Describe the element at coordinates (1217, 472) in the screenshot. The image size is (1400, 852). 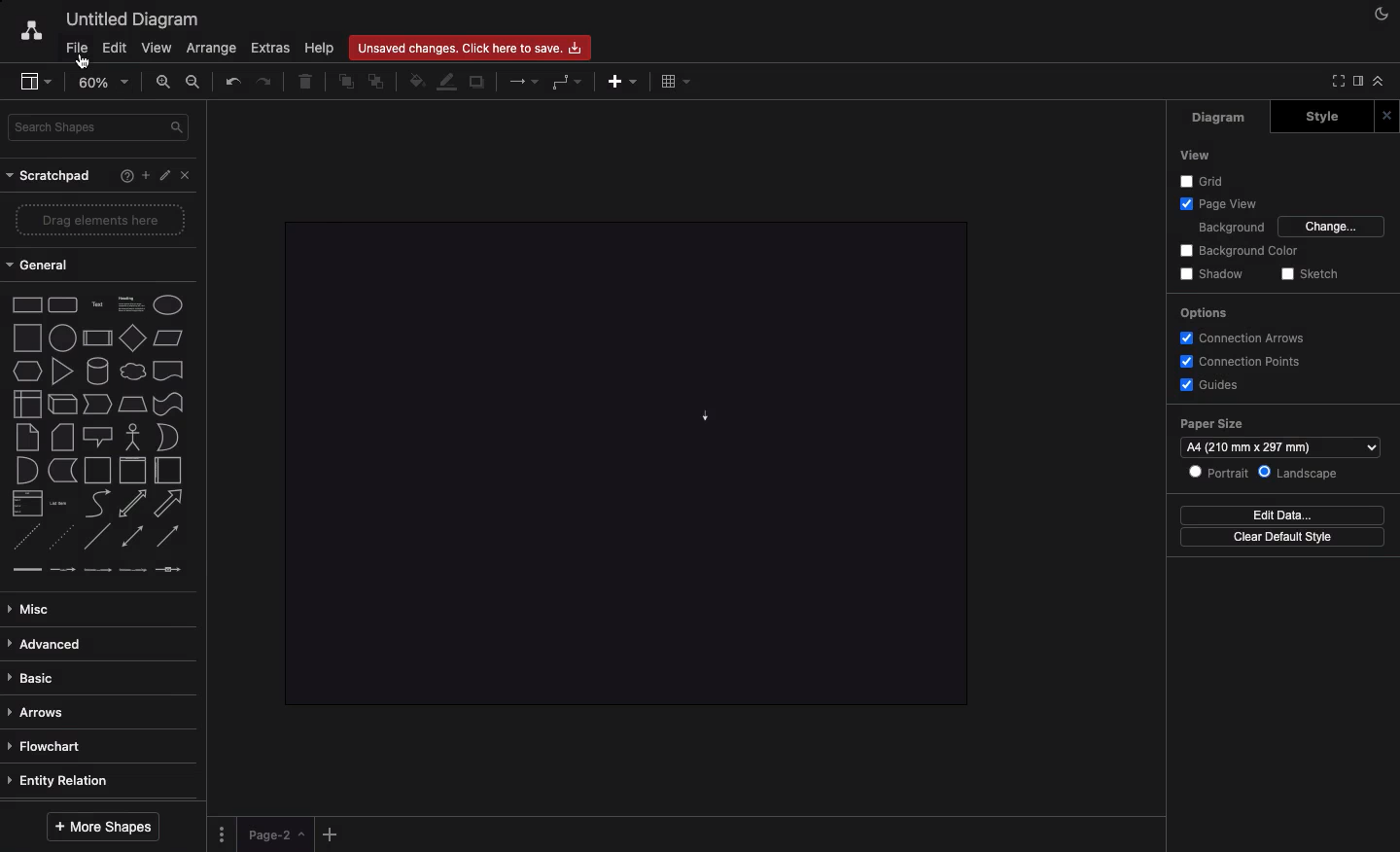
I see `Portrait` at that location.